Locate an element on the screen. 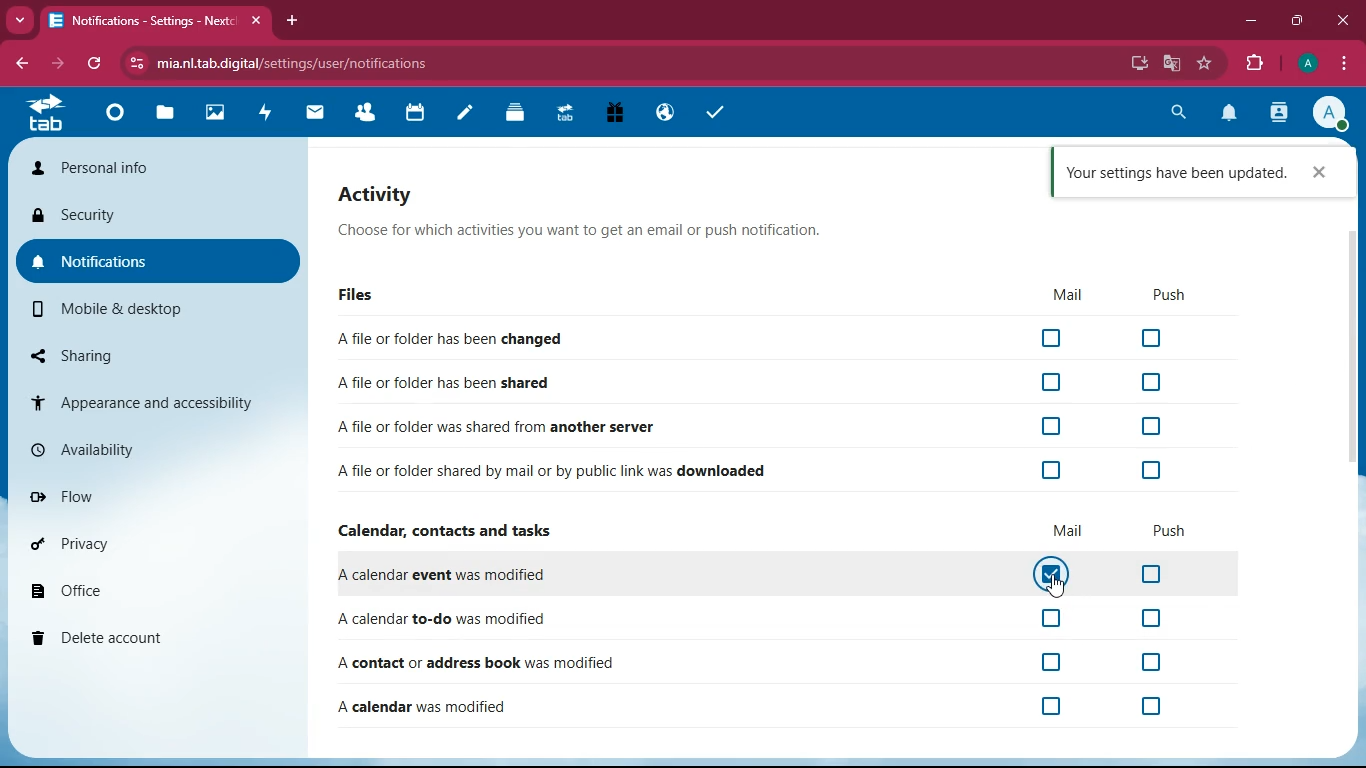 The image size is (1366, 768). files is located at coordinates (371, 295).